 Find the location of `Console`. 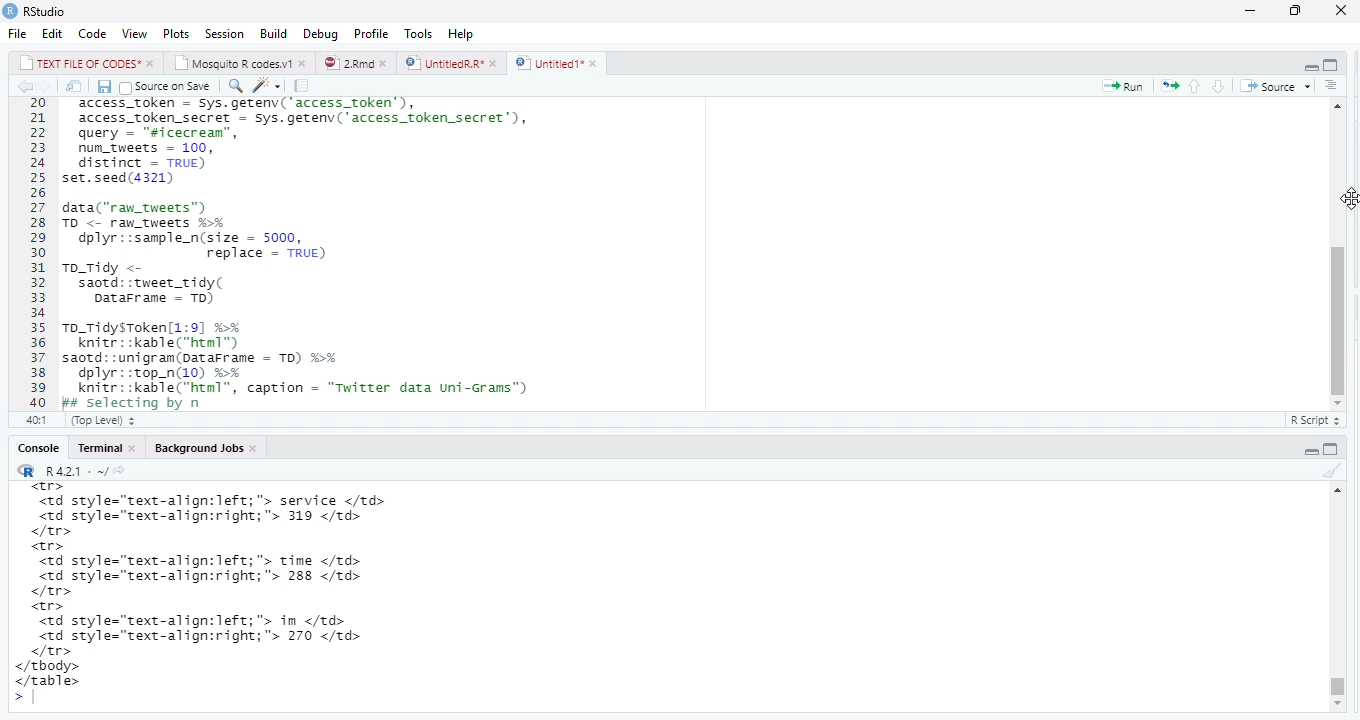

Console is located at coordinates (32, 447).